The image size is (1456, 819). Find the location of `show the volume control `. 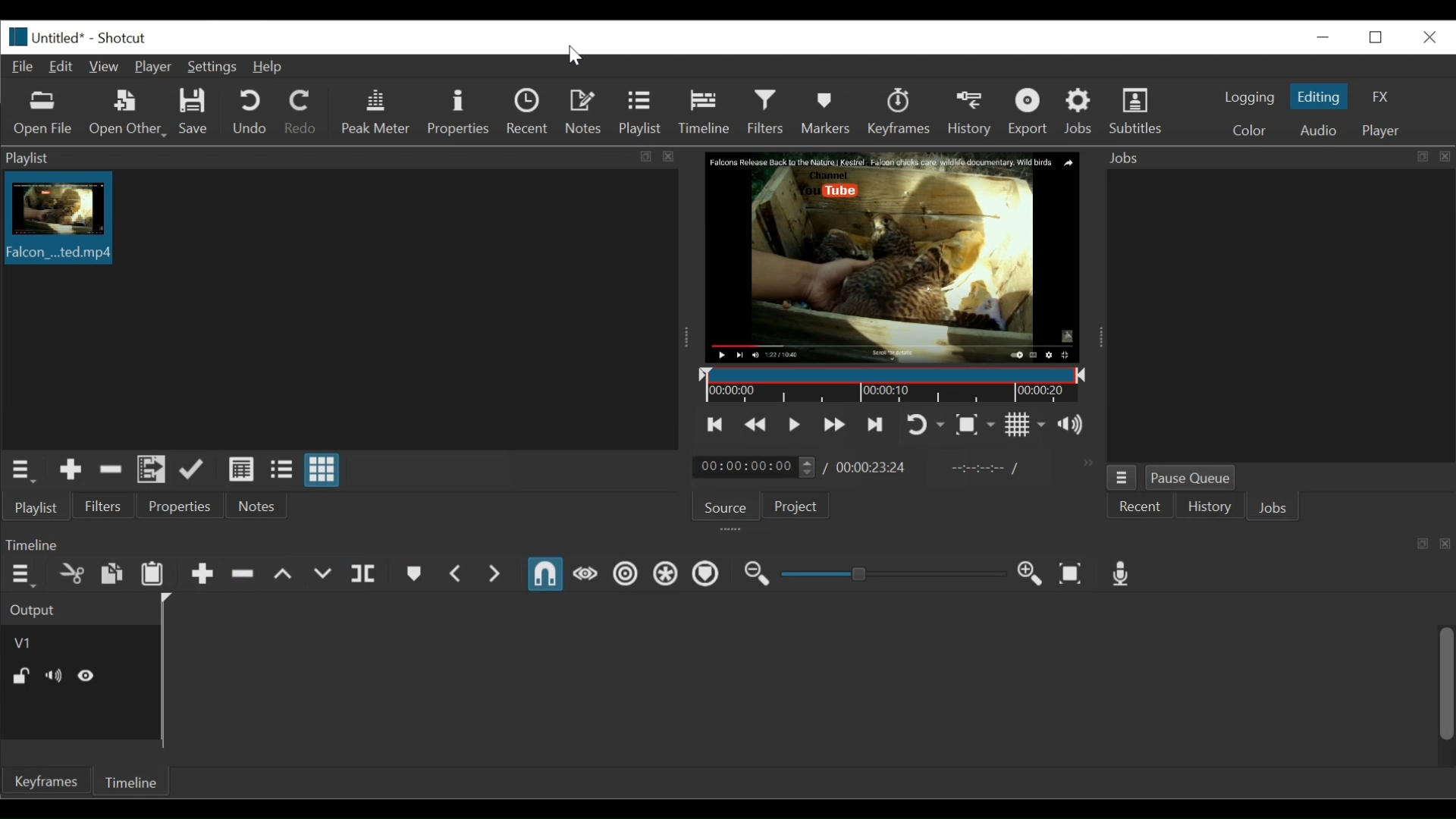

show the volume control  is located at coordinates (1073, 426).